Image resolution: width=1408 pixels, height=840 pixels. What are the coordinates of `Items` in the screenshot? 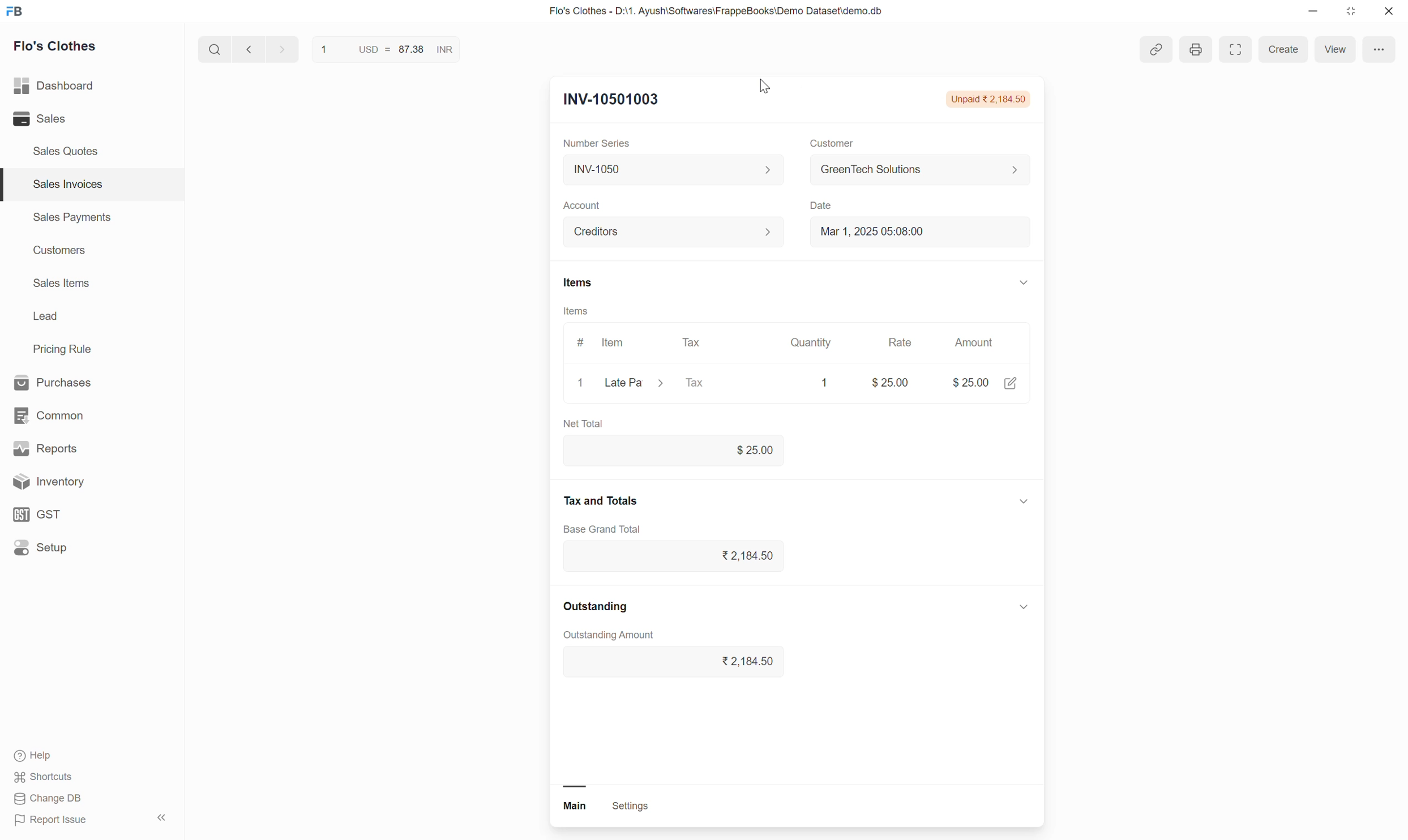 It's located at (590, 282).